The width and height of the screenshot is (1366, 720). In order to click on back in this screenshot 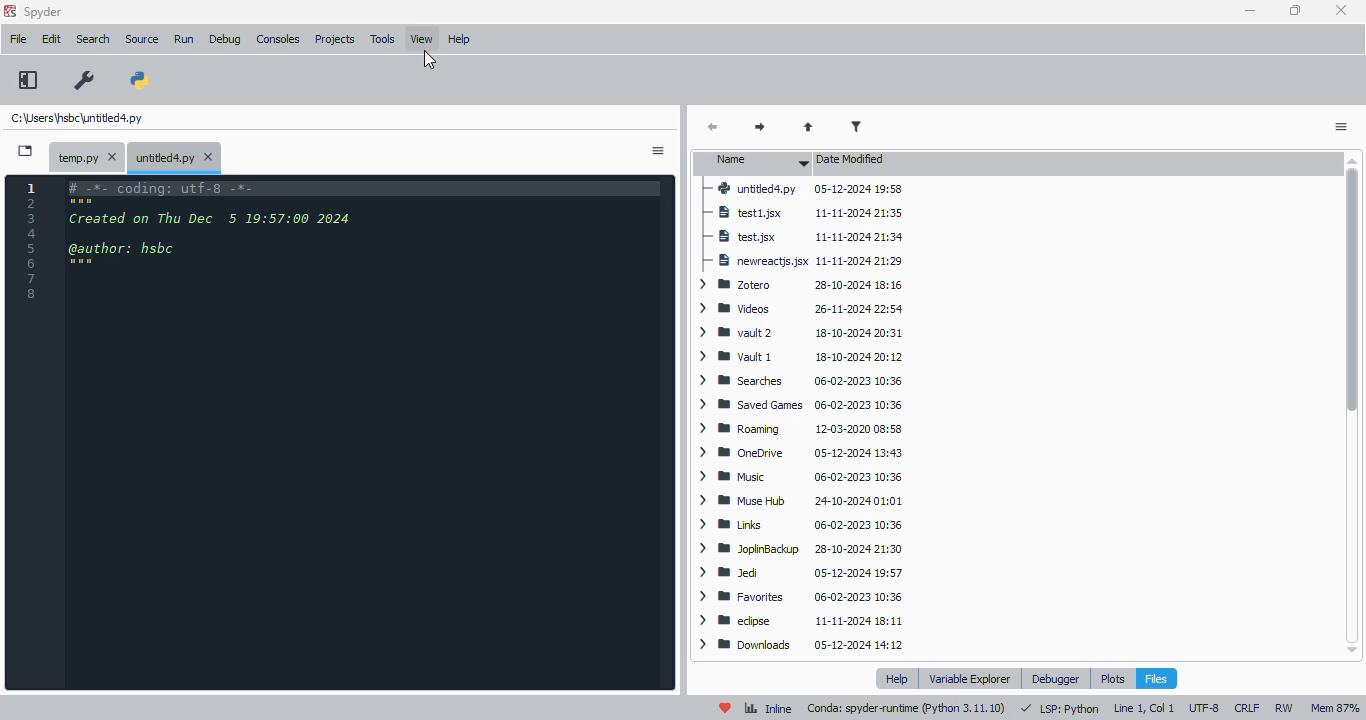, I will do `click(713, 128)`.